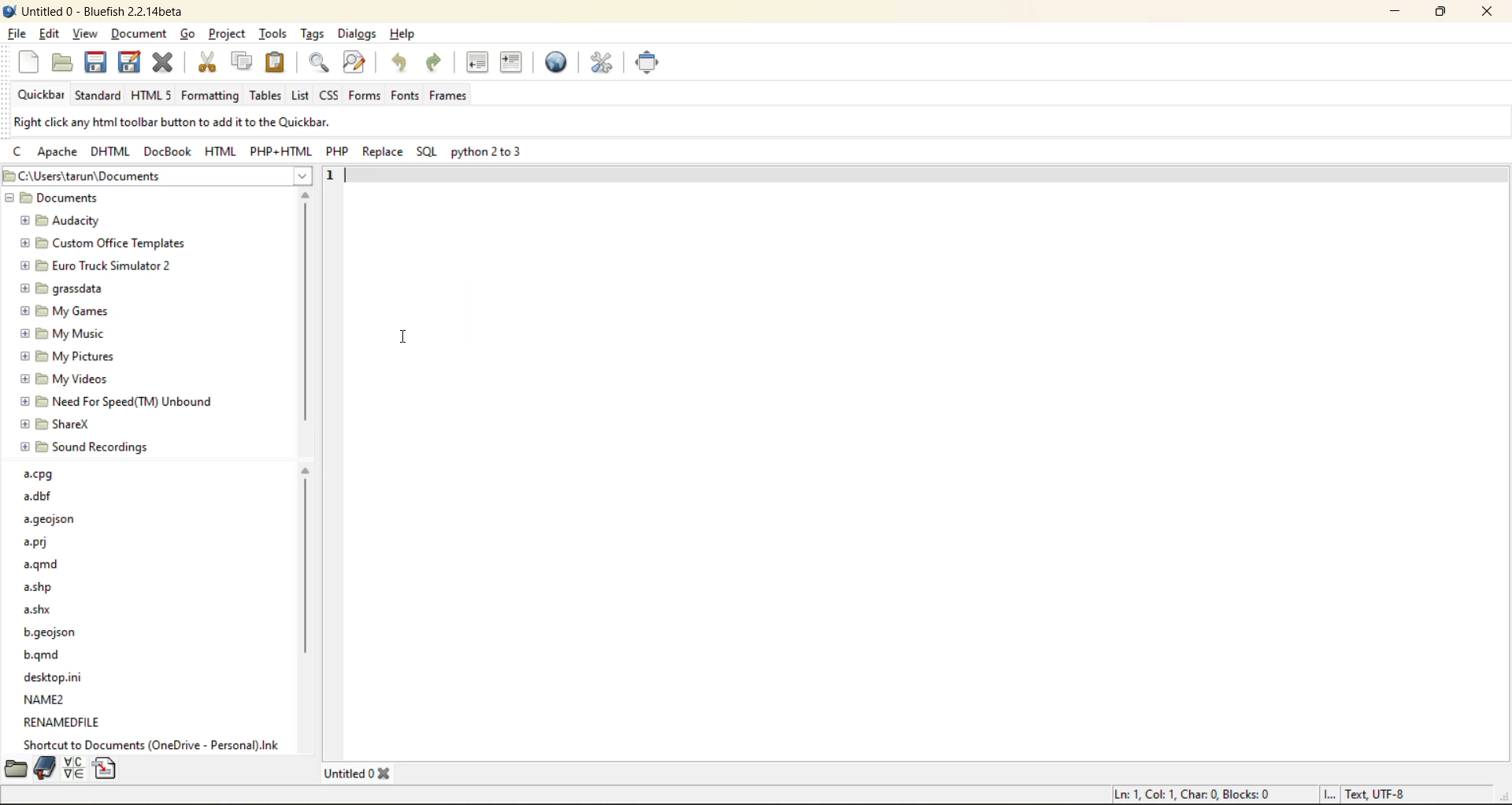 This screenshot has width=1512, height=805. Describe the element at coordinates (16, 33) in the screenshot. I see `file` at that location.